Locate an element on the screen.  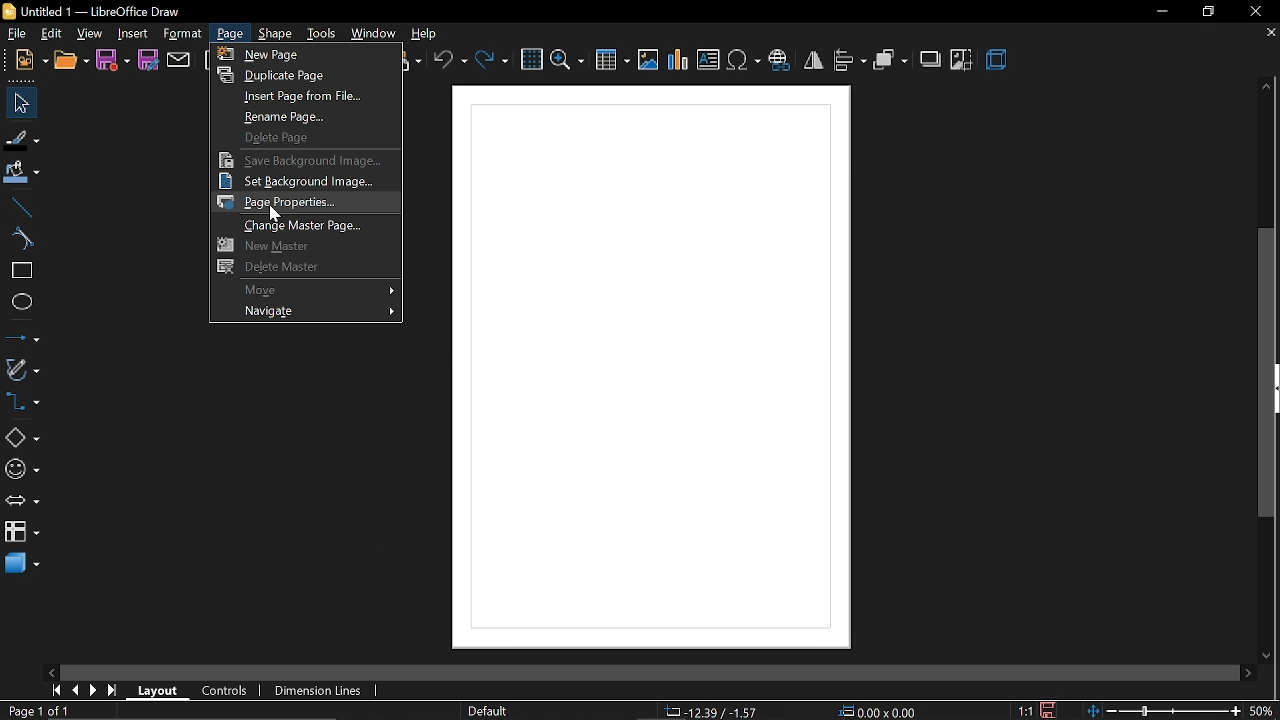
Defaul - page style is located at coordinates (492, 711).